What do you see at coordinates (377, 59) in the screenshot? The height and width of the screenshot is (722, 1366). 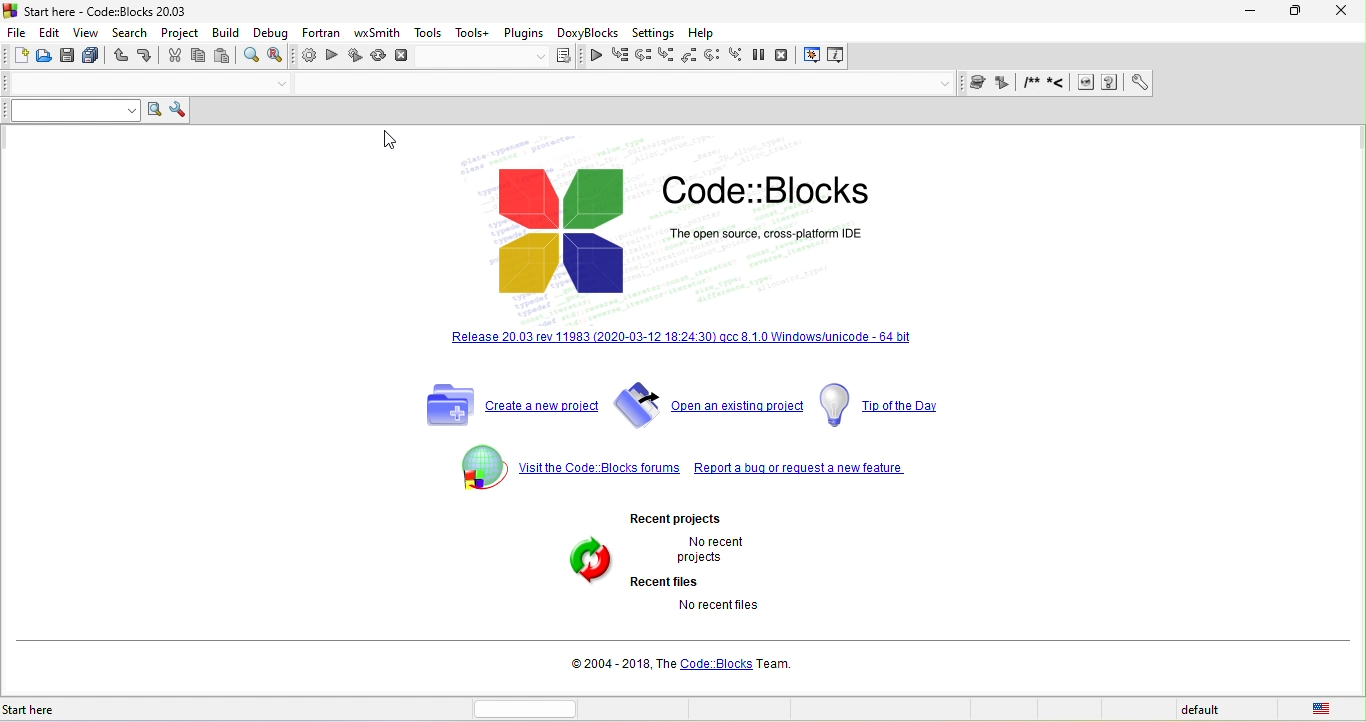 I see `rebuild` at bounding box center [377, 59].